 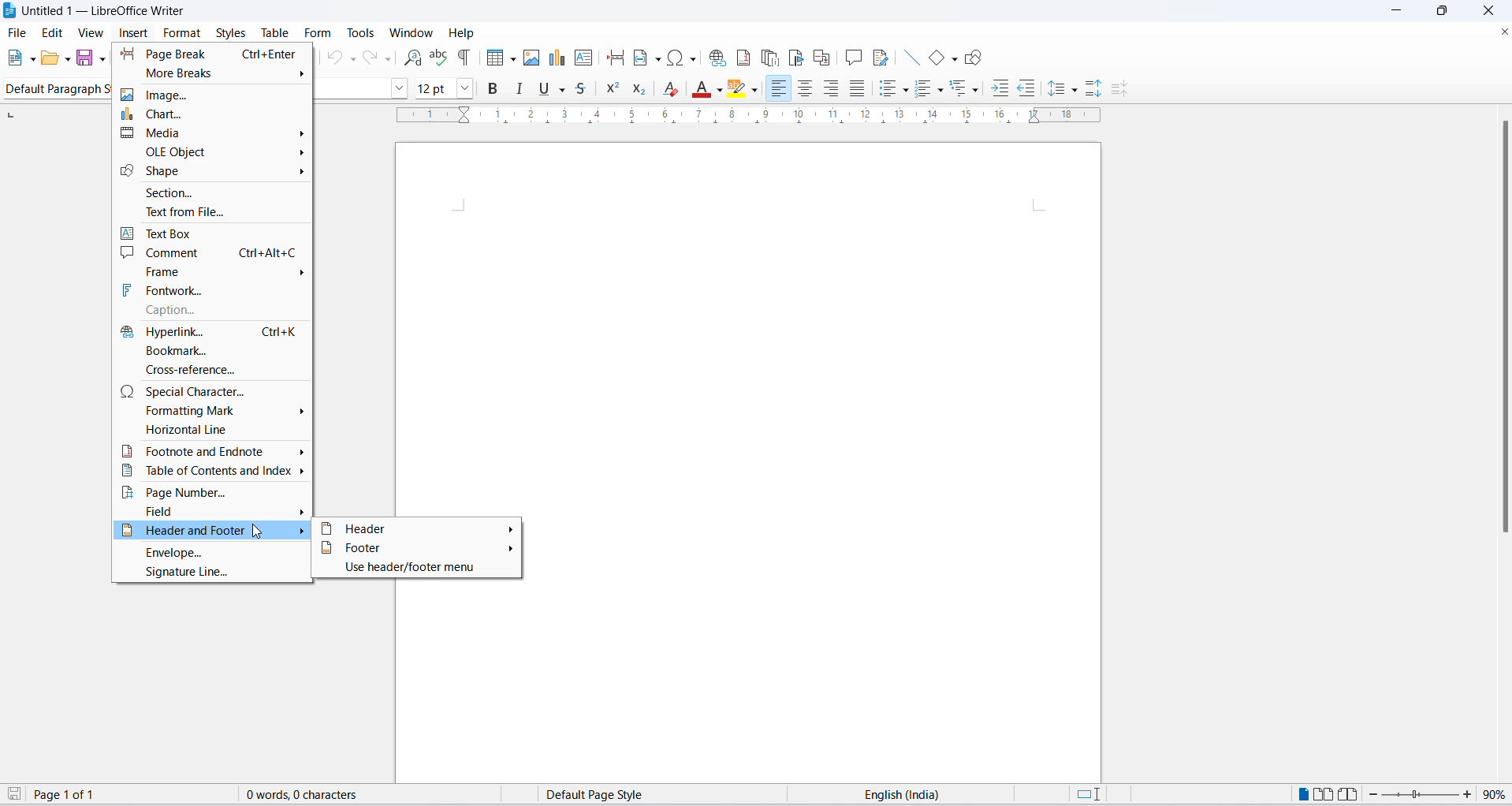 What do you see at coordinates (943, 92) in the screenshot?
I see `toggle ordered list options` at bounding box center [943, 92].